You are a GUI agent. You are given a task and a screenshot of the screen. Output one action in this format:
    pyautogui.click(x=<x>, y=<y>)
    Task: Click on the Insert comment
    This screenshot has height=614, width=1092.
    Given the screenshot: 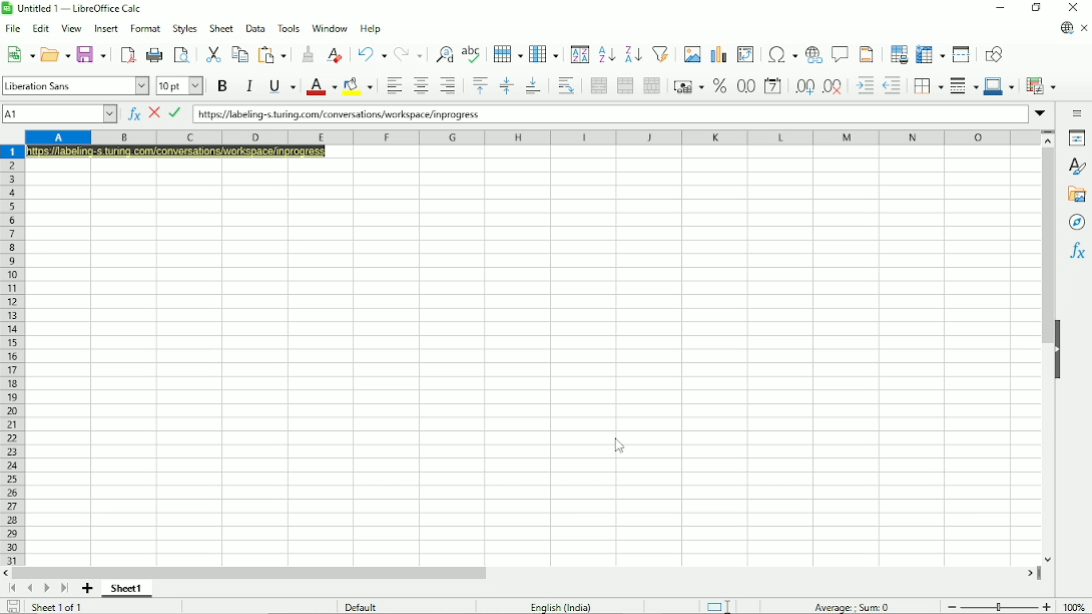 What is the action you would take?
    pyautogui.click(x=841, y=54)
    